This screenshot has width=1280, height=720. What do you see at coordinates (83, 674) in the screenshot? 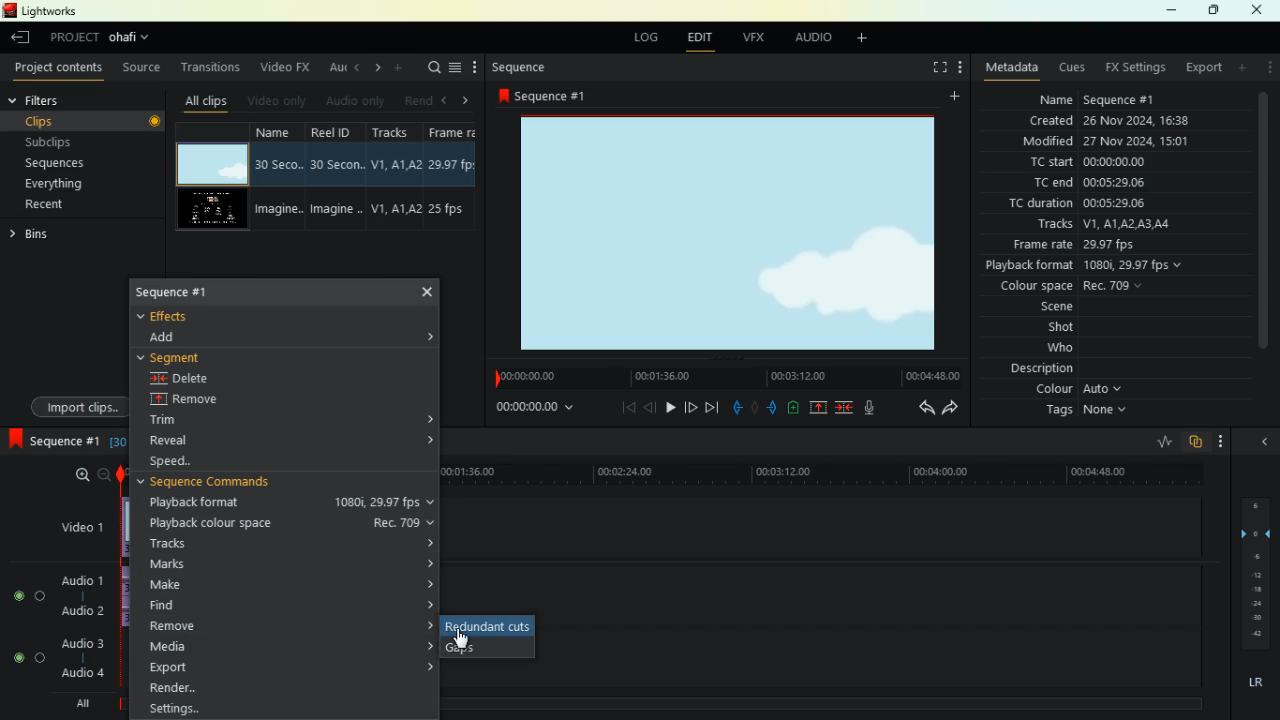
I see `audio 4` at bounding box center [83, 674].